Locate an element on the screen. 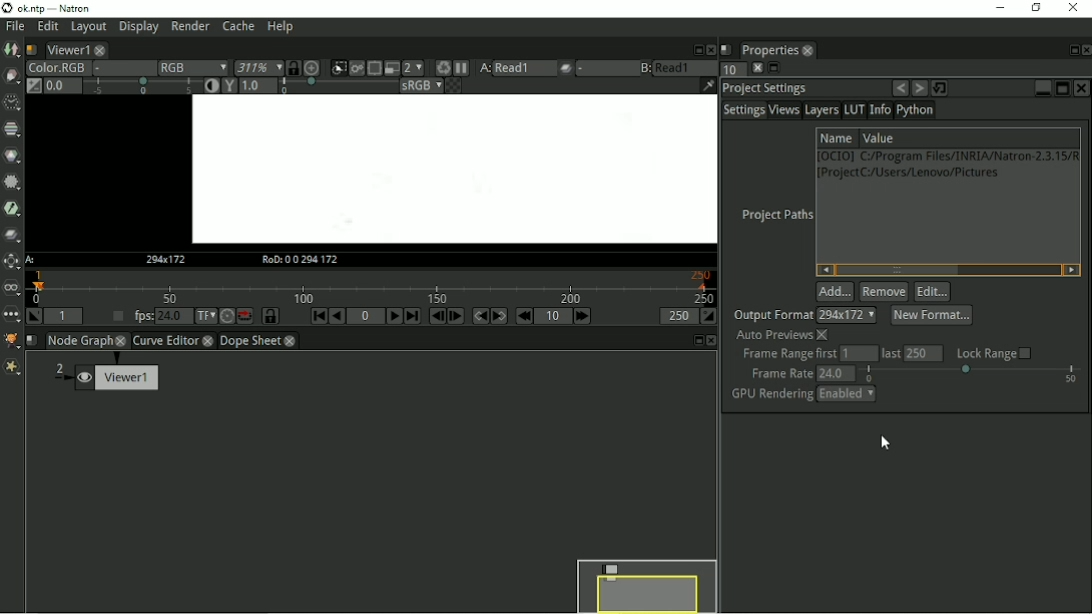 The height and width of the screenshot is (614, 1092). enabled is located at coordinates (847, 395).